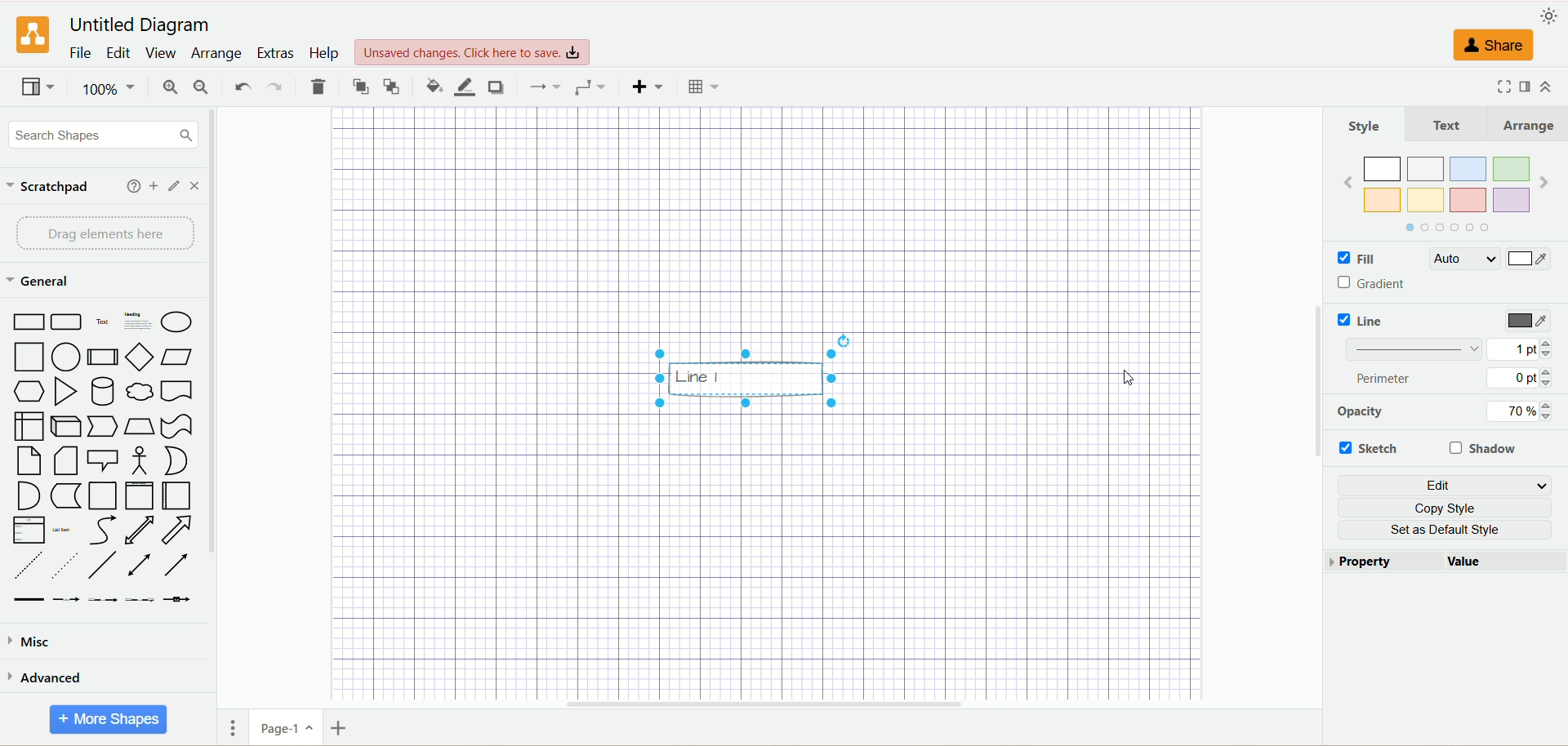 This screenshot has height=746, width=1568. I want to click on Gradient, so click(1383, 281).